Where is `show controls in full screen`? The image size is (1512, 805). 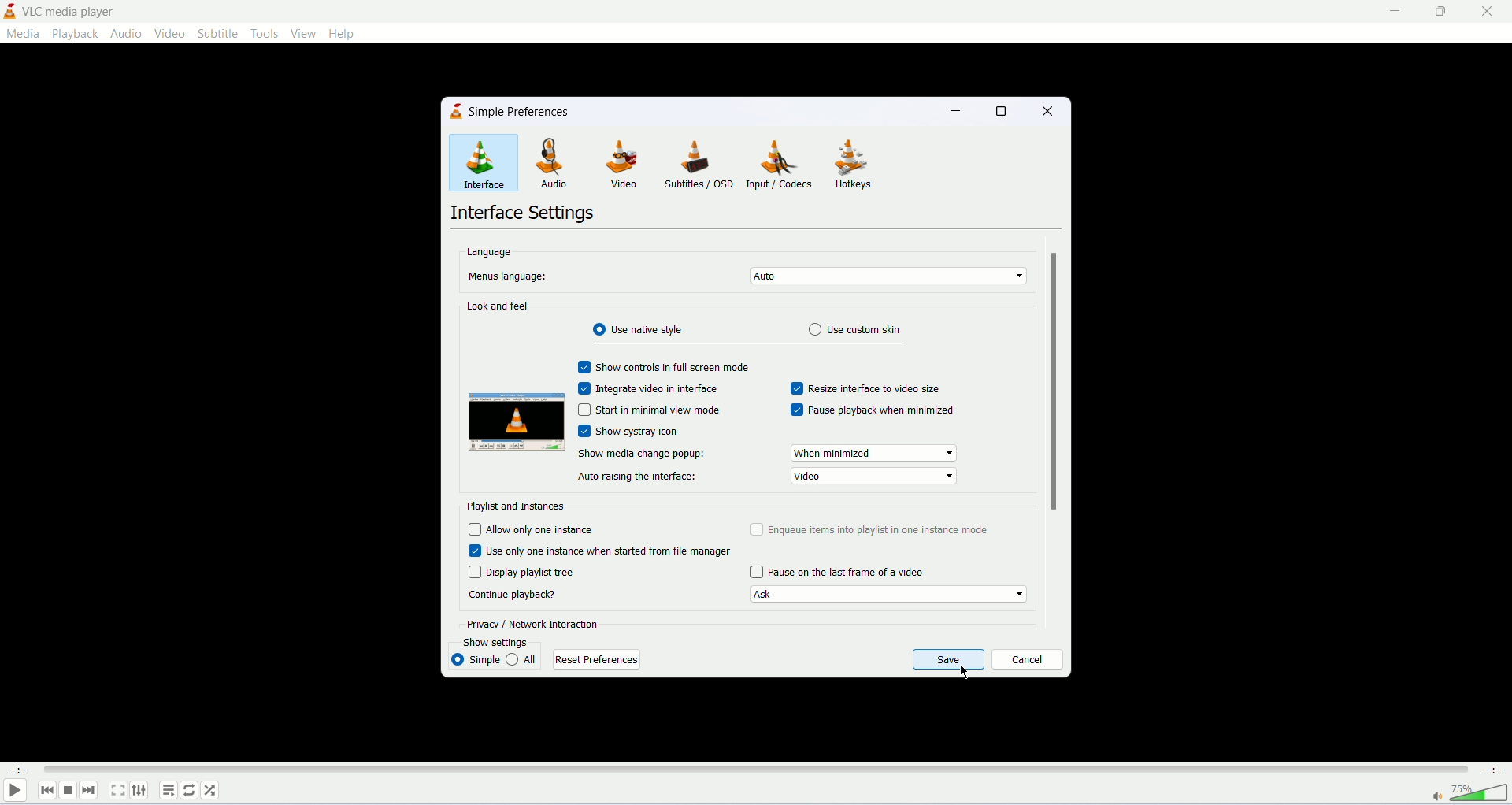
show controls in full screen is located at coordinates (671, 367).